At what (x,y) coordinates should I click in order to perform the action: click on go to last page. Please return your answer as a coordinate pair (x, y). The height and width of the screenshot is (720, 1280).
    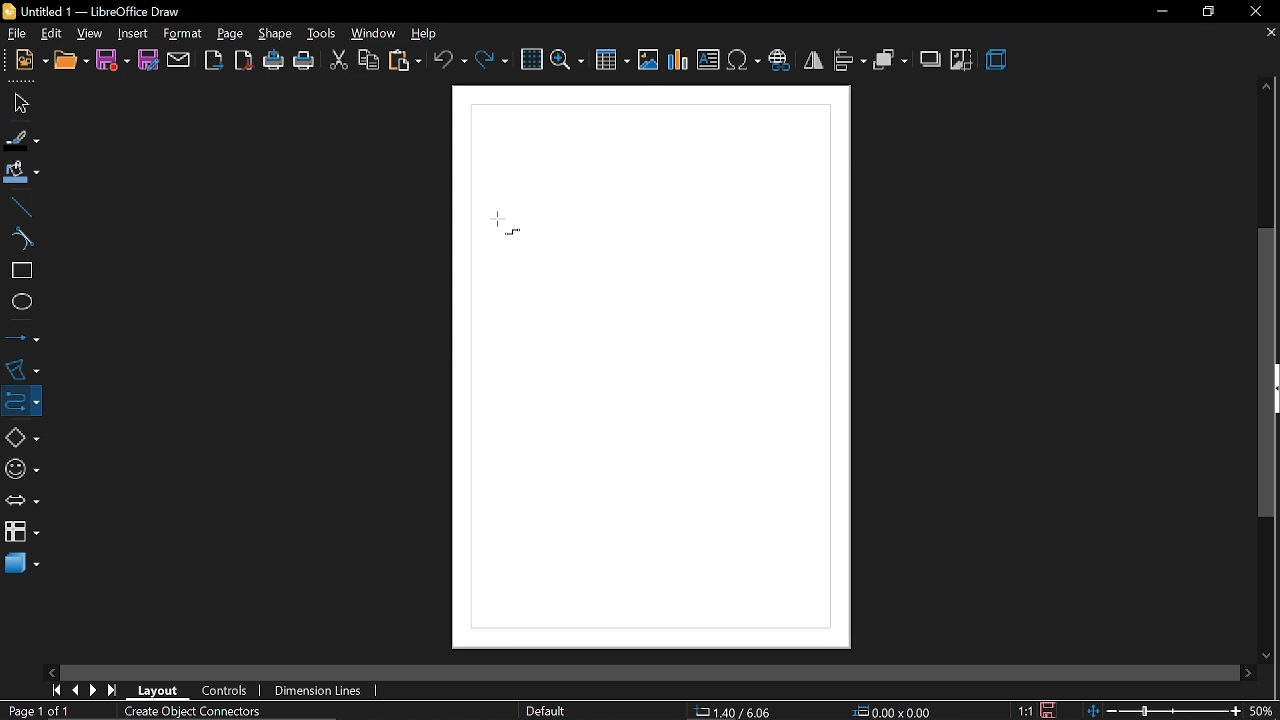
    Looking at the image, I should click on (114, 690).